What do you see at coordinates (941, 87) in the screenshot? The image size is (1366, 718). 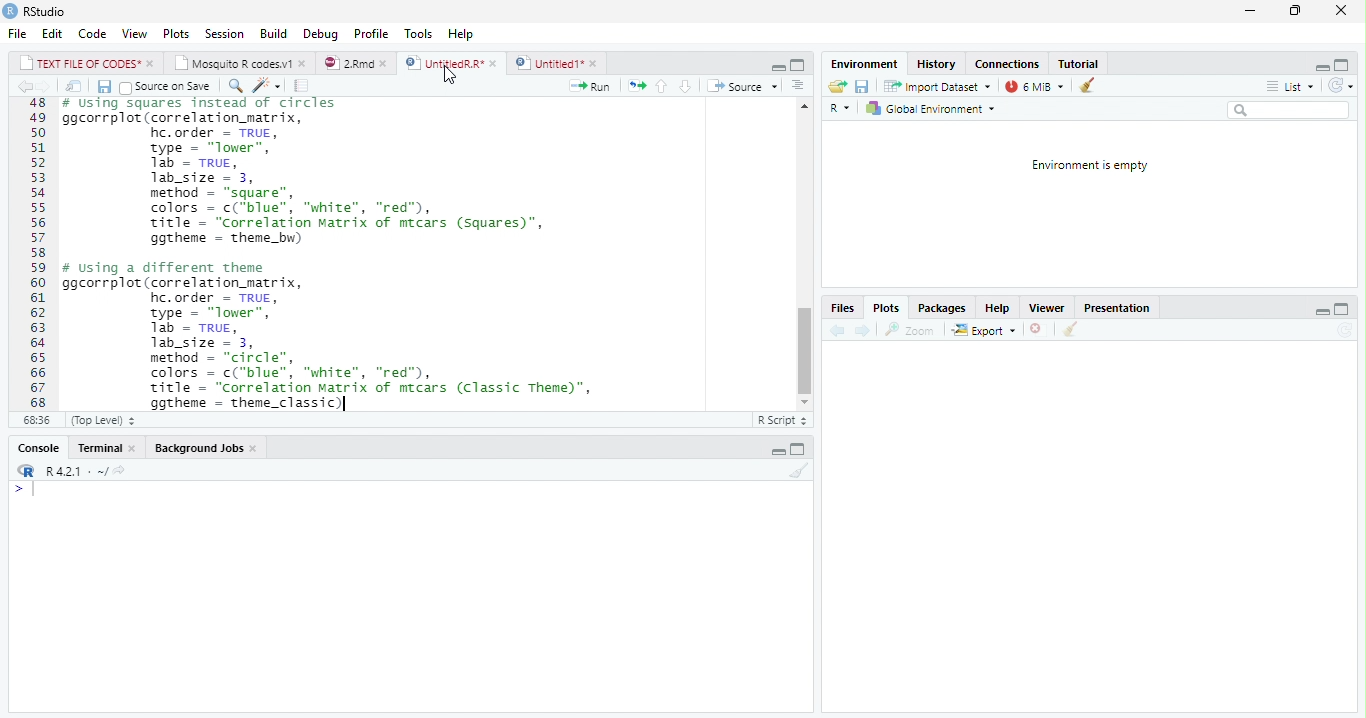 I see `imoort Dataset ~` at bounding box center [941, 87].